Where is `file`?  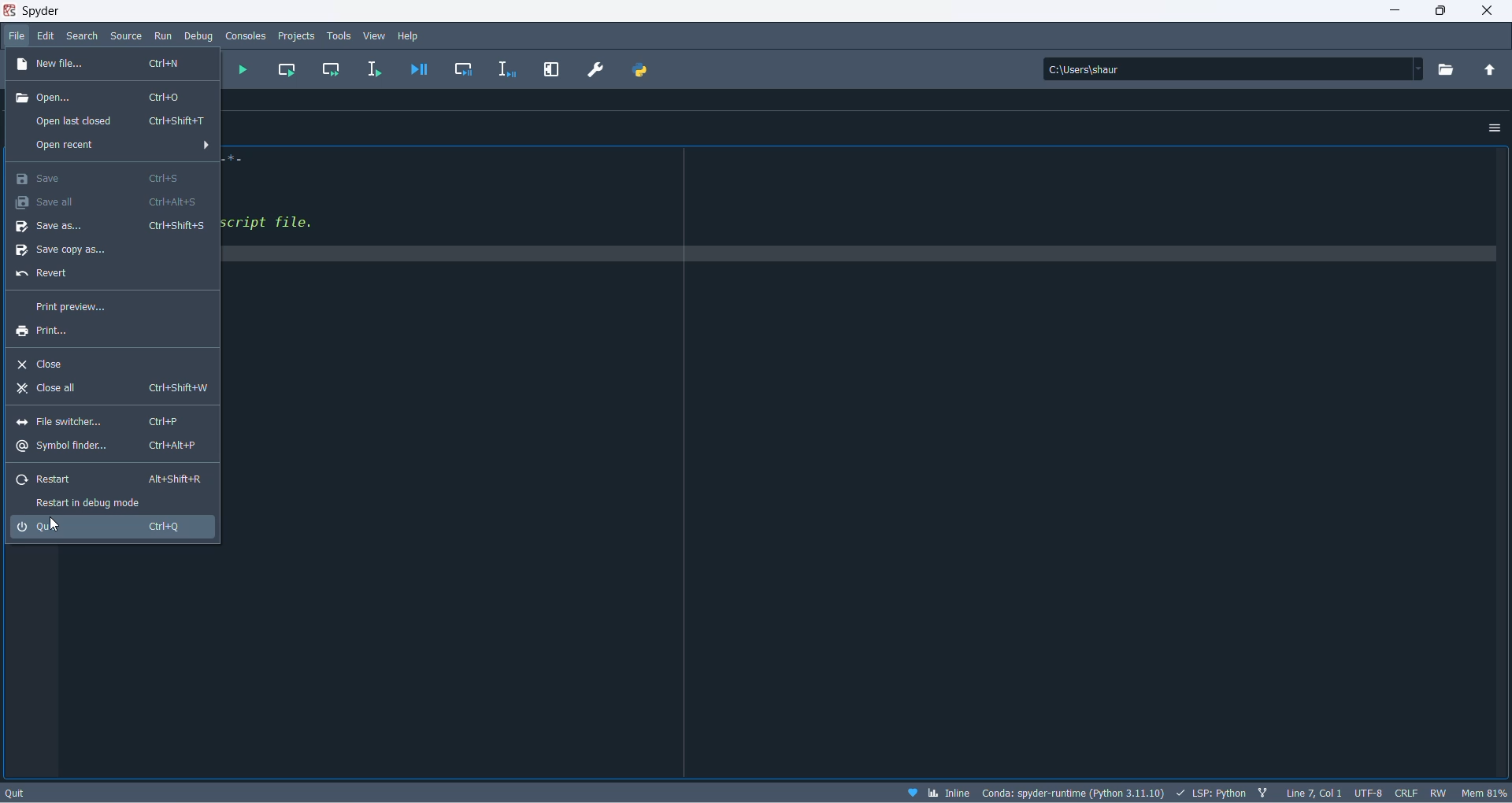 file is located at coordinates (20, 37).